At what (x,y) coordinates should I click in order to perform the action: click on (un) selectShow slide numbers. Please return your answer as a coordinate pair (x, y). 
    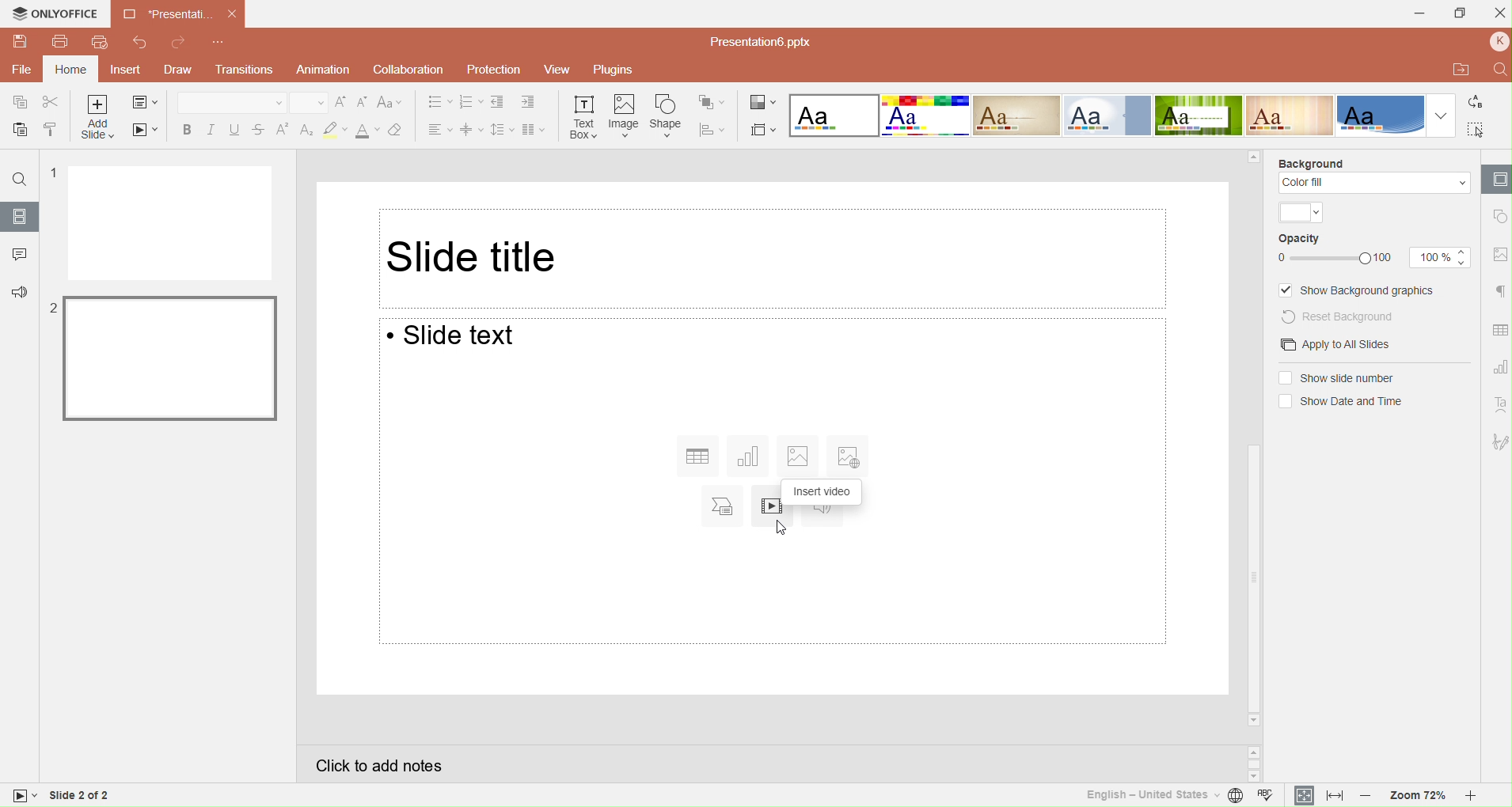
    Looking at the image, I should click on (1339, 377).